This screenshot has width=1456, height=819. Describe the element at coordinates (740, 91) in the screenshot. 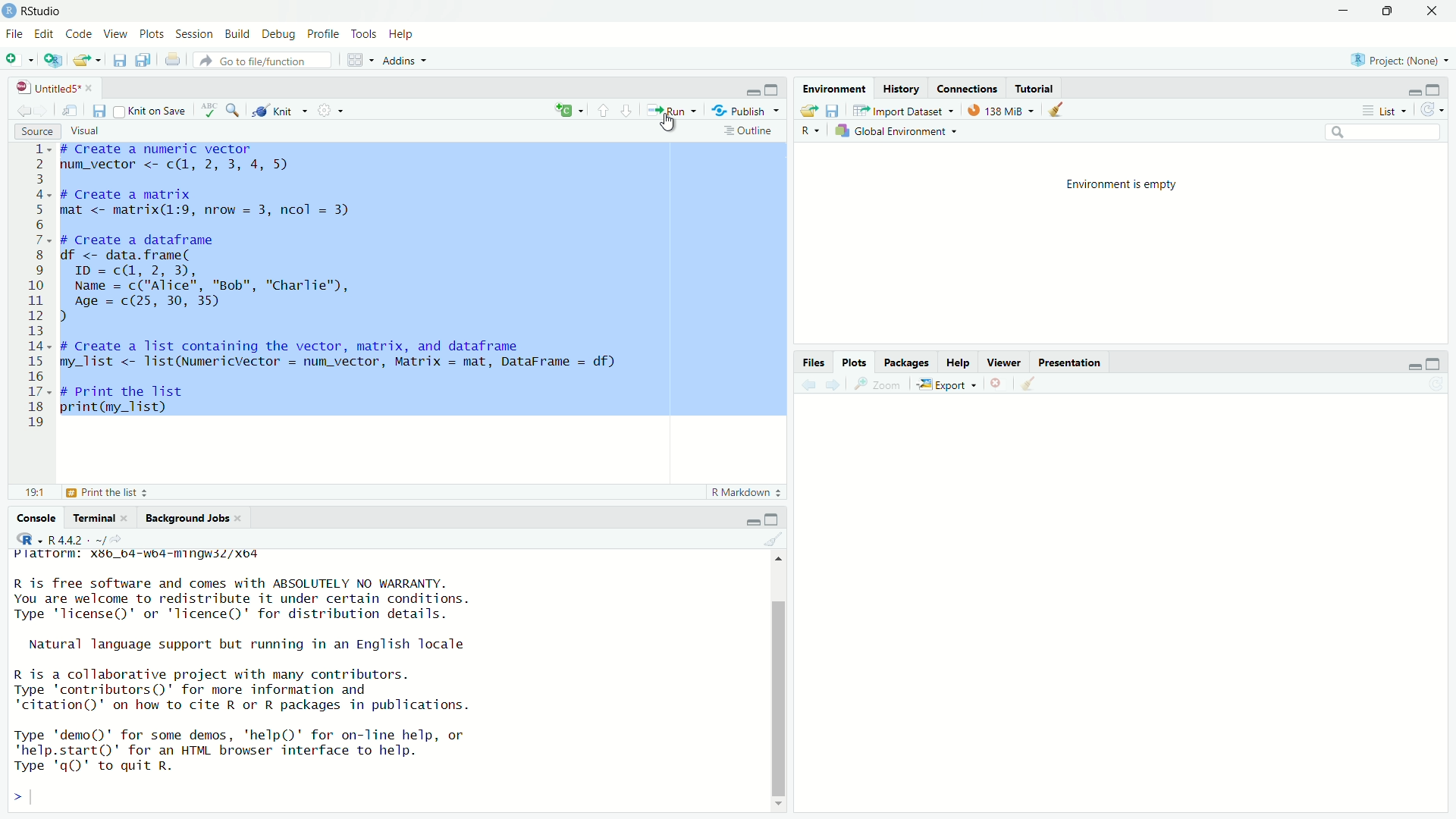

I see `minimise` at that location.